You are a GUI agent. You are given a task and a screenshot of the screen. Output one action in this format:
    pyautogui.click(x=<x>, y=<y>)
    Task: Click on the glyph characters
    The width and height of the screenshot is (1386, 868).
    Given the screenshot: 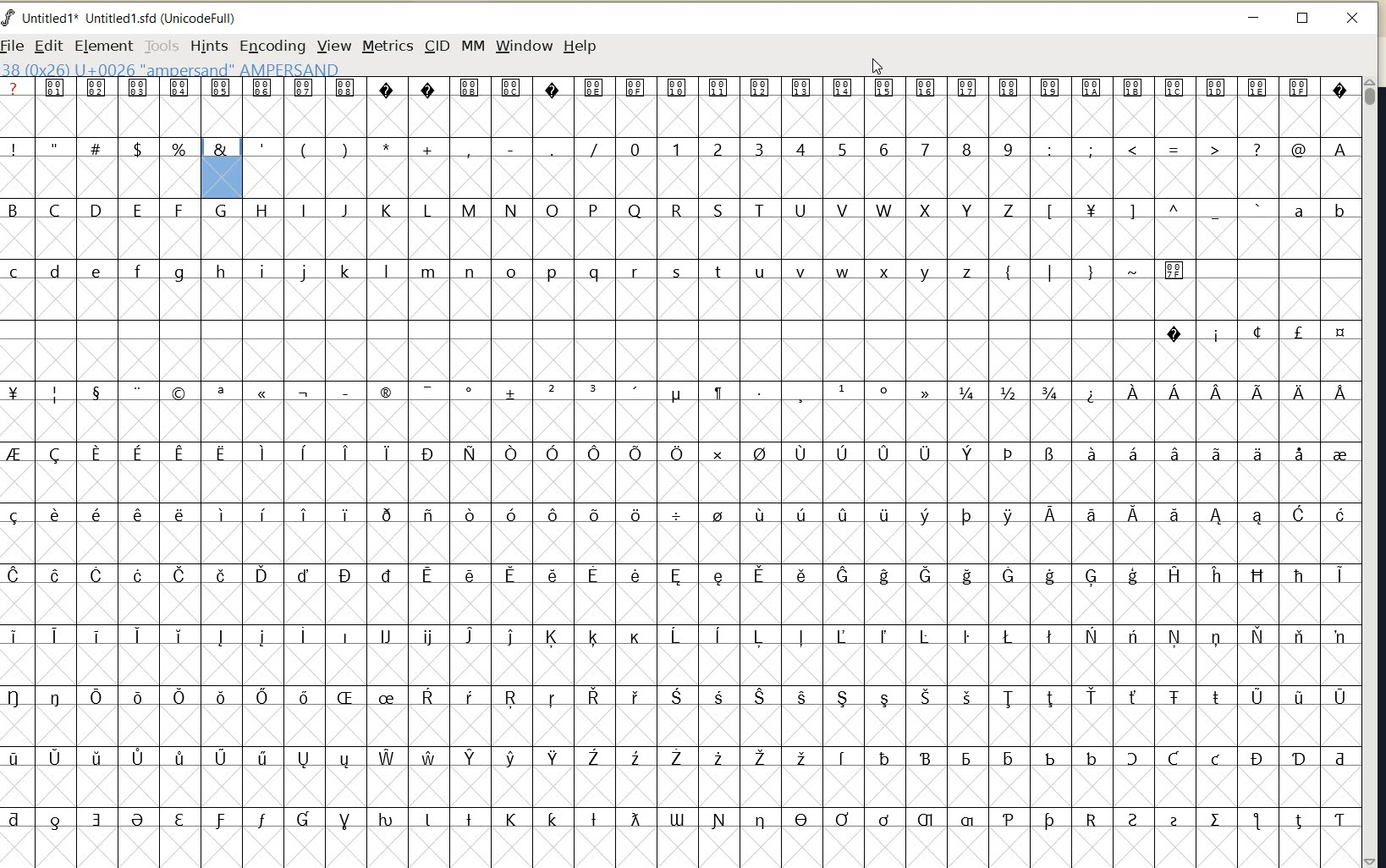 What is the action you would take?
    pyautogui.click(x=98, y=465)
    